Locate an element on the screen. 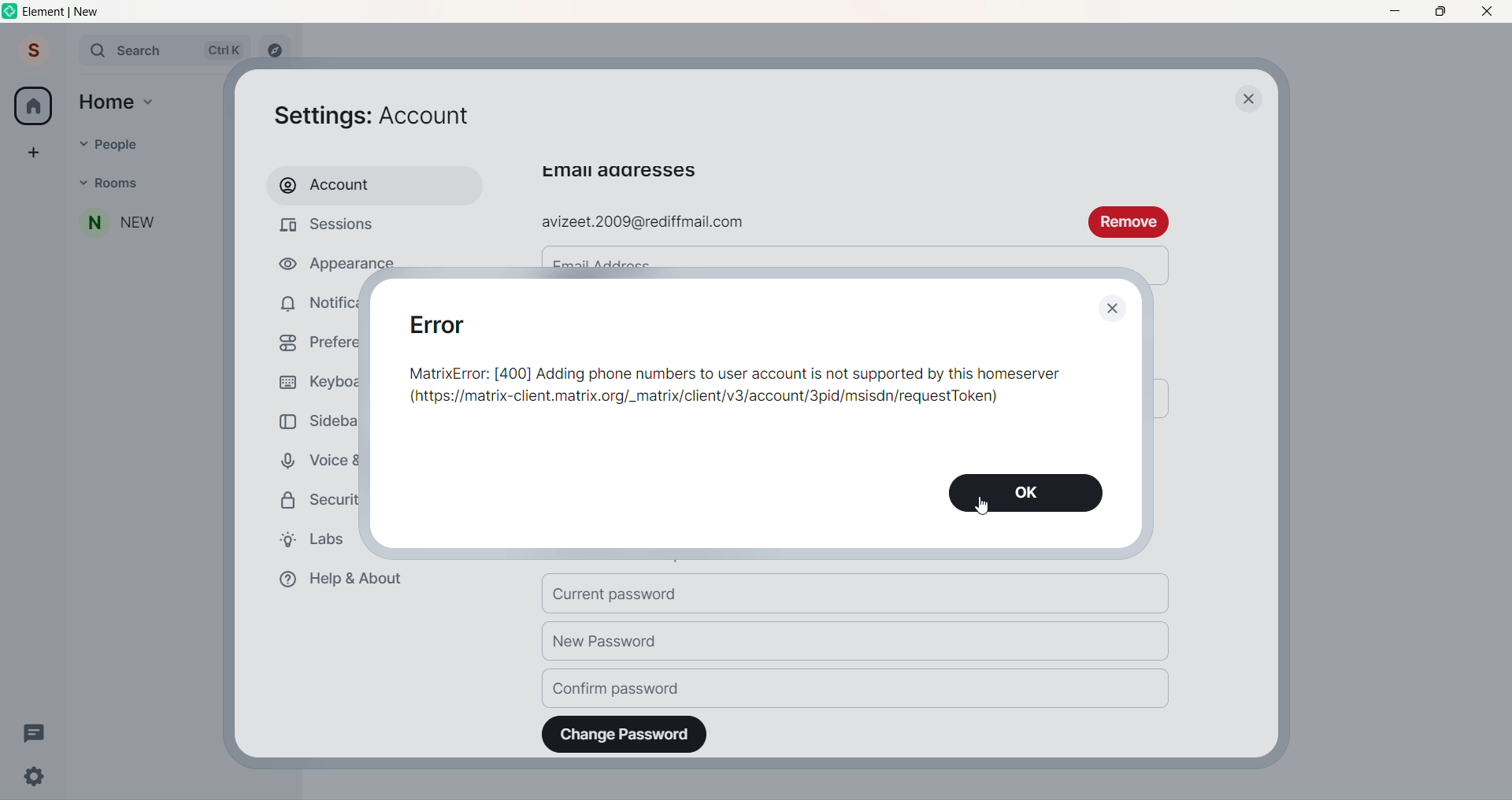 The height and width of the screenshot is (800, 1512). Dropdown is located at coordinates (82, 181).